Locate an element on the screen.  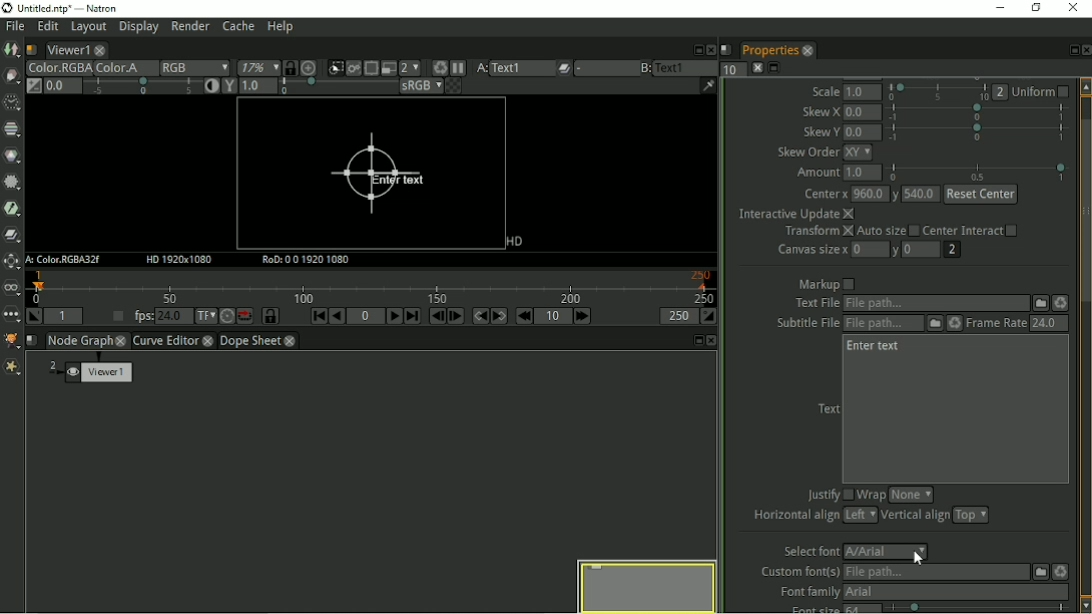
selection bar is located at coordinates (979, 171).